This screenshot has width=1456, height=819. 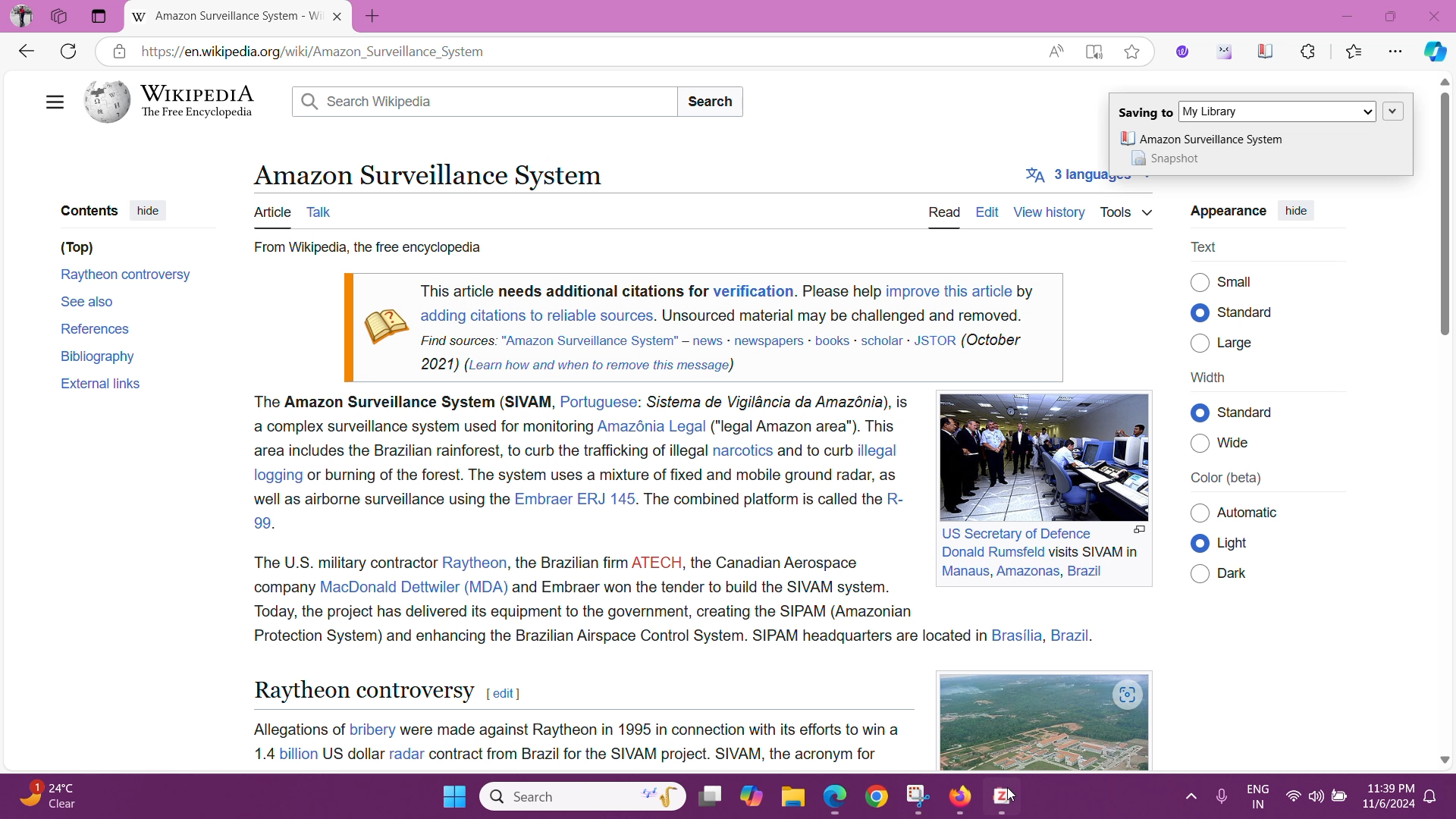 I want to click on Read, so click(x=946, y=212).